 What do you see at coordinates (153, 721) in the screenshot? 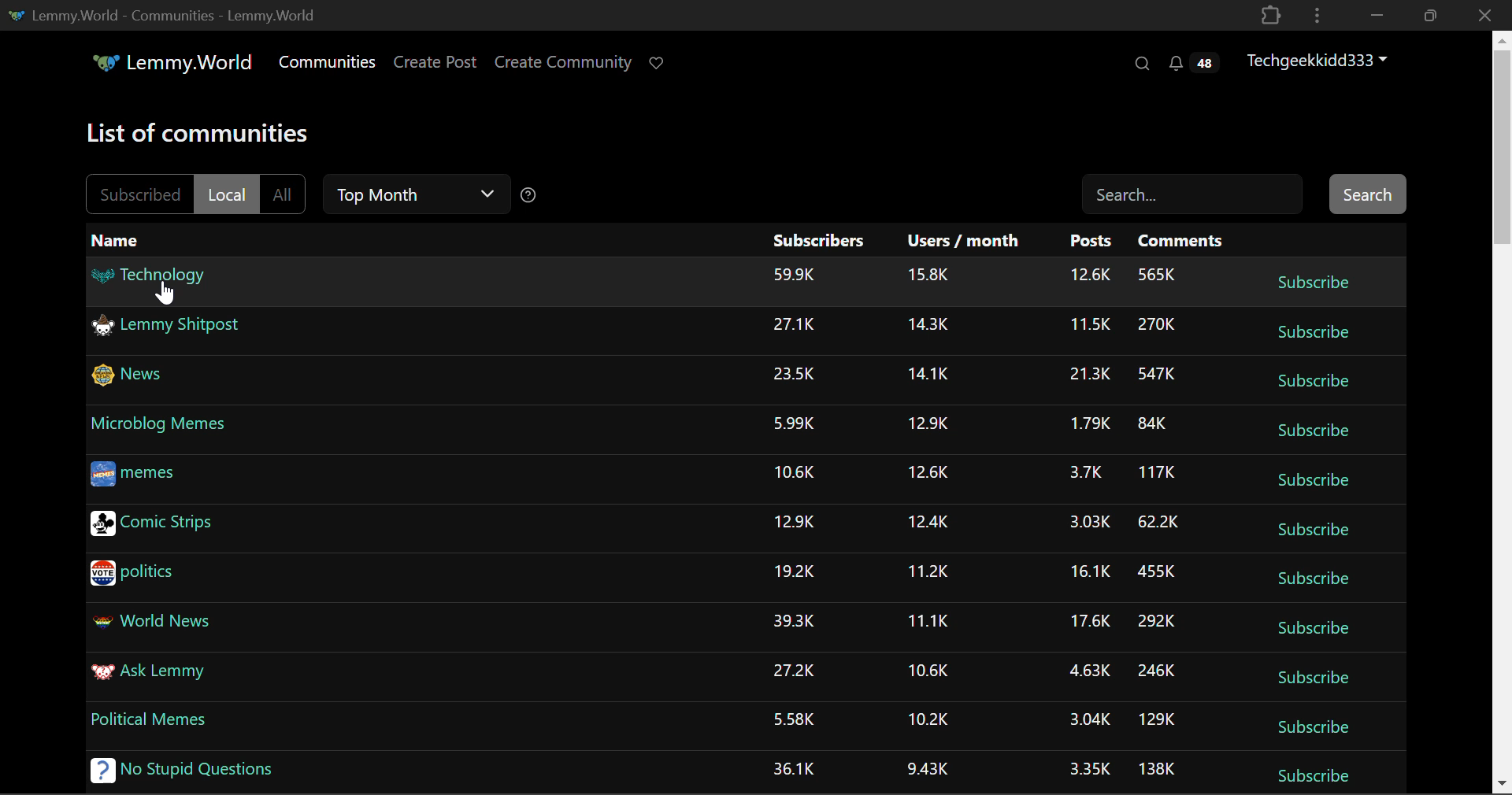
I see `Political Memes` at bounding box center [153, 721].